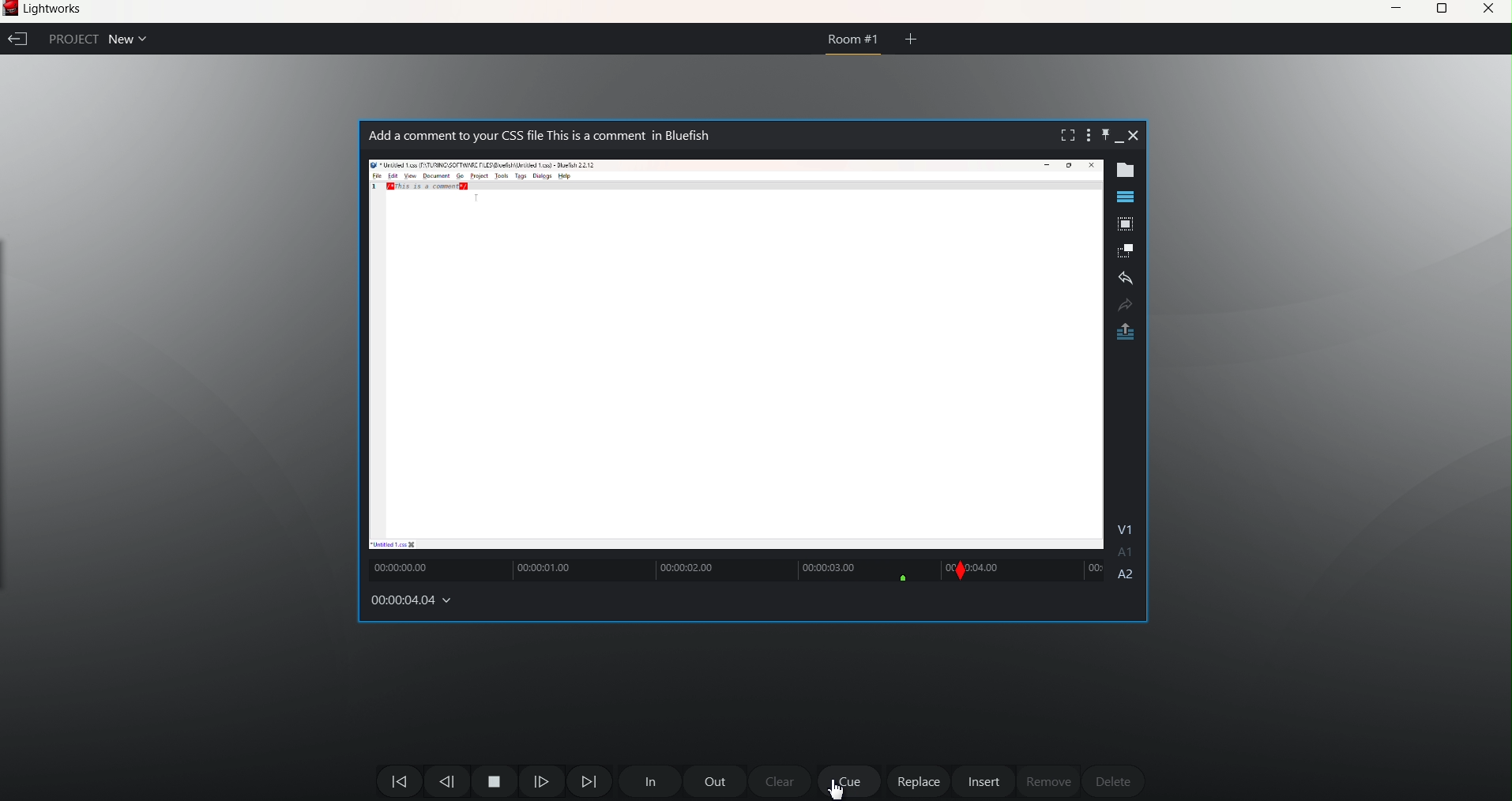 The image size is (1512, 801). What do you see at coordinates (715, 780) in the screenshot?
I see `out` at bounding box center [715, 780].